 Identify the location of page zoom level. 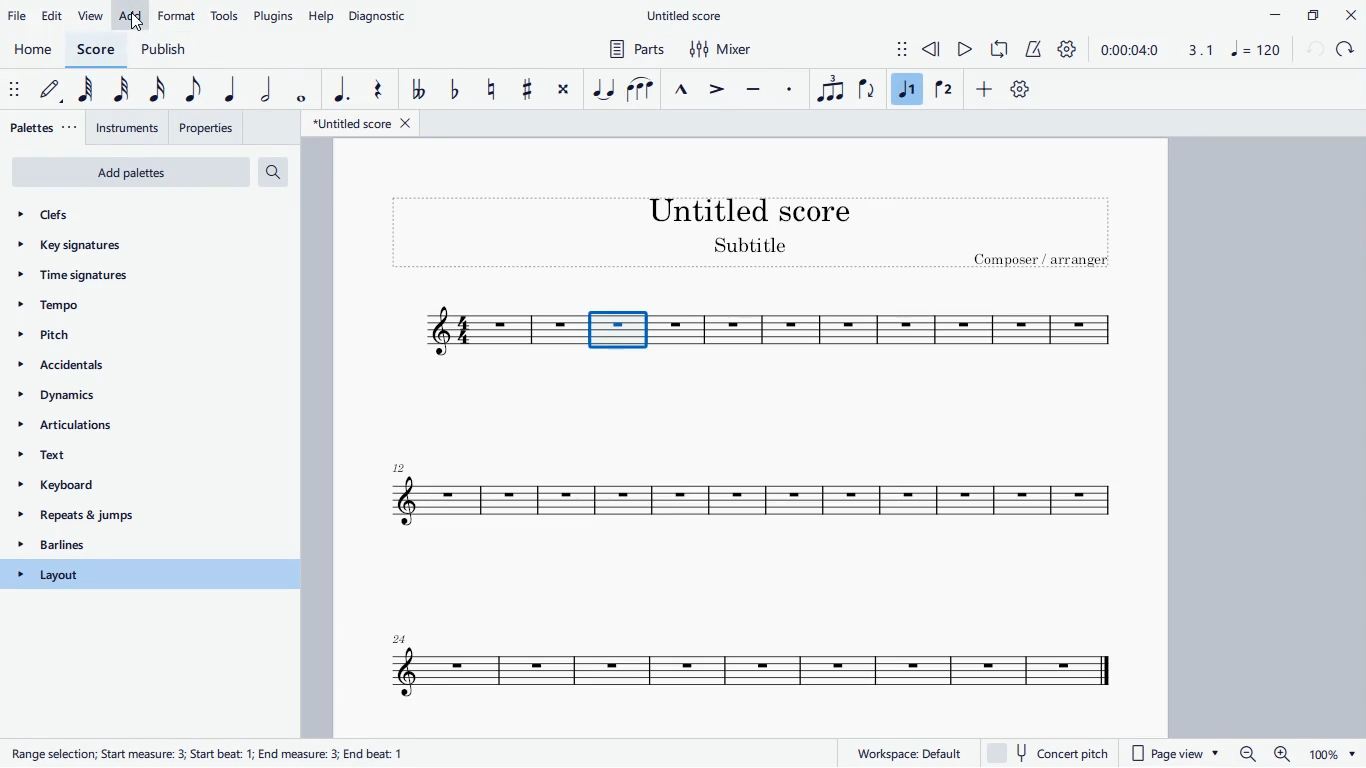
(1332, 755).